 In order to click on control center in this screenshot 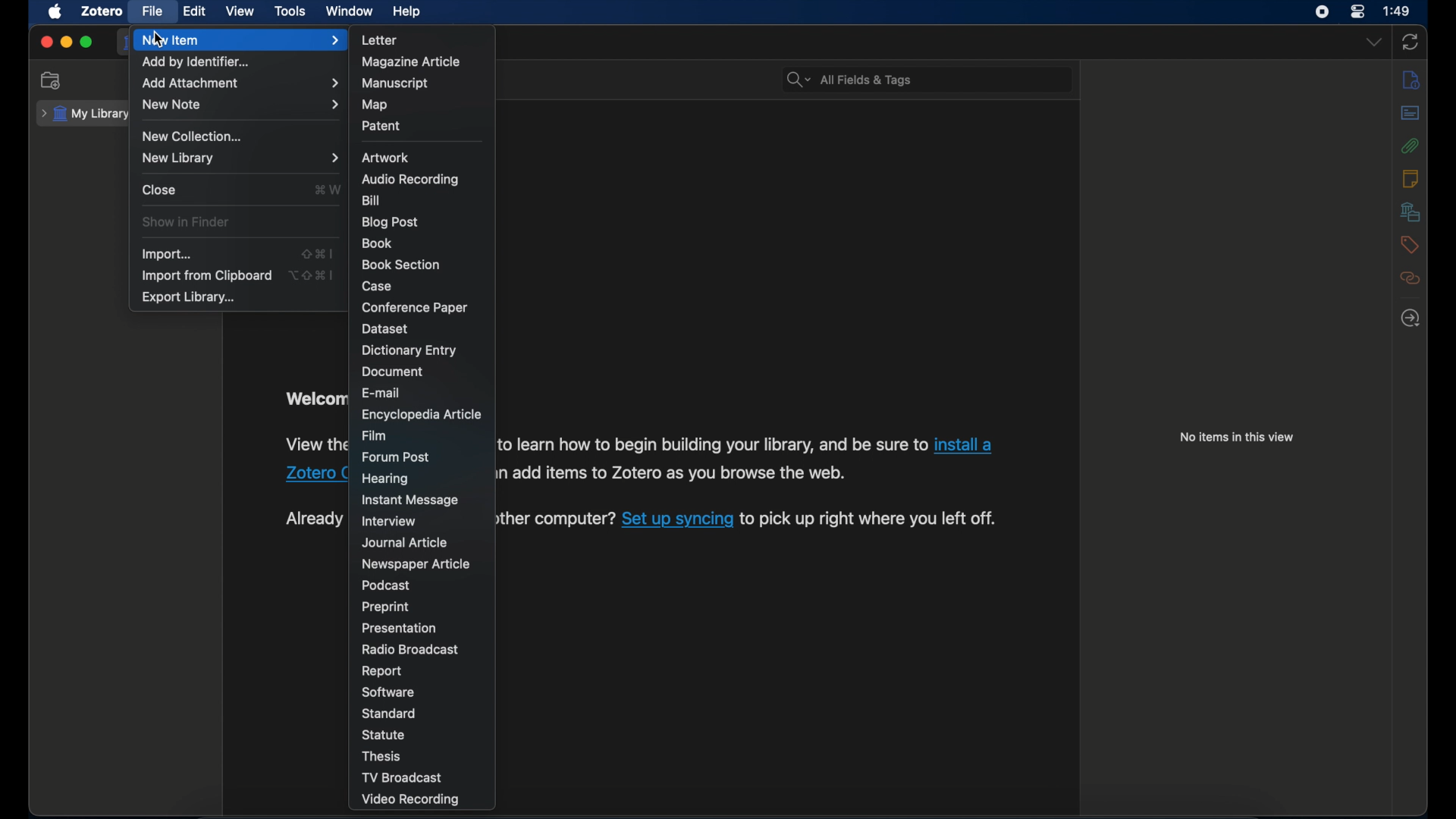, I will do `click(1357, 12)`.